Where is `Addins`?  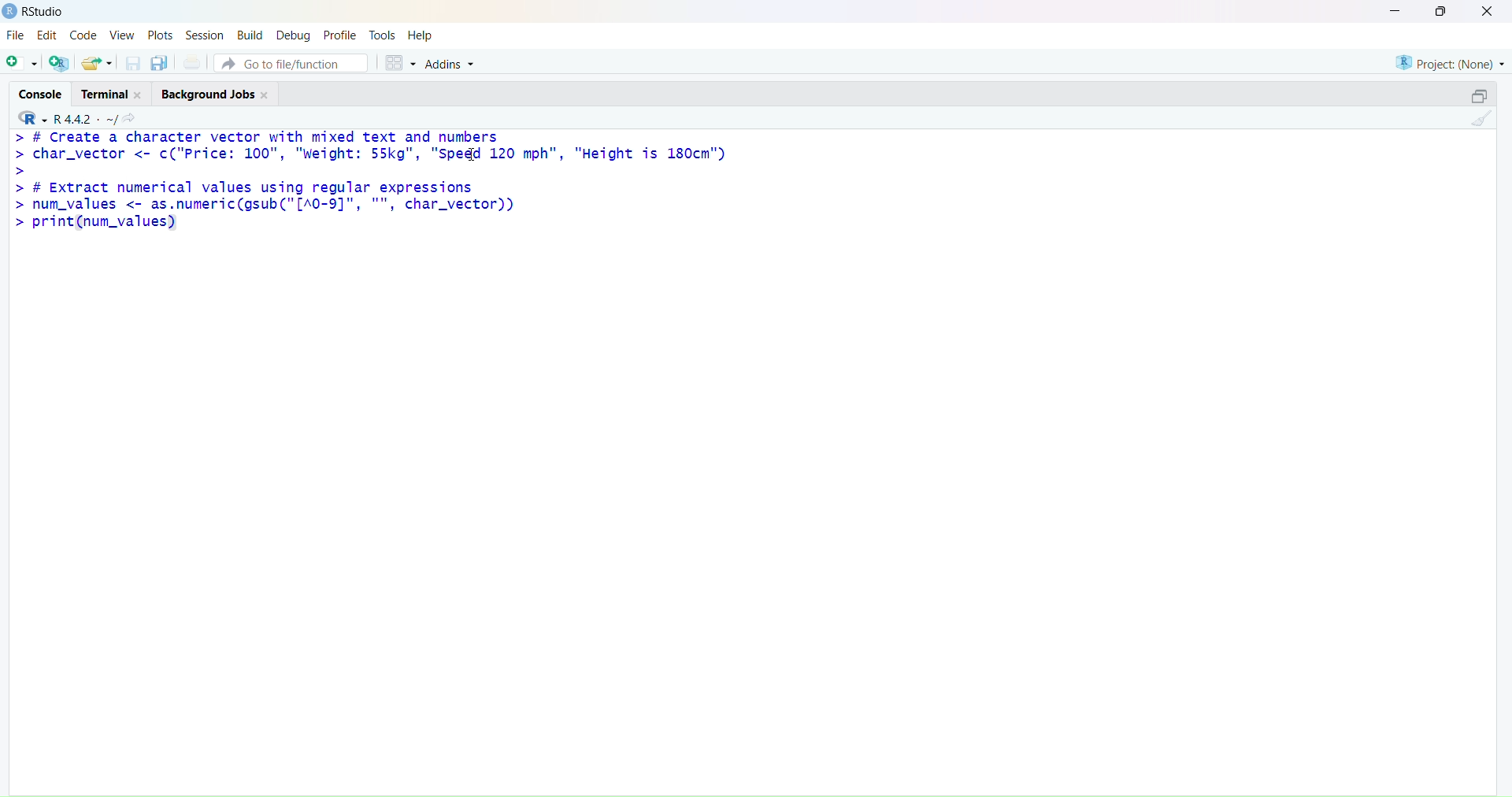 Addins is located at coordinates (451, 65).